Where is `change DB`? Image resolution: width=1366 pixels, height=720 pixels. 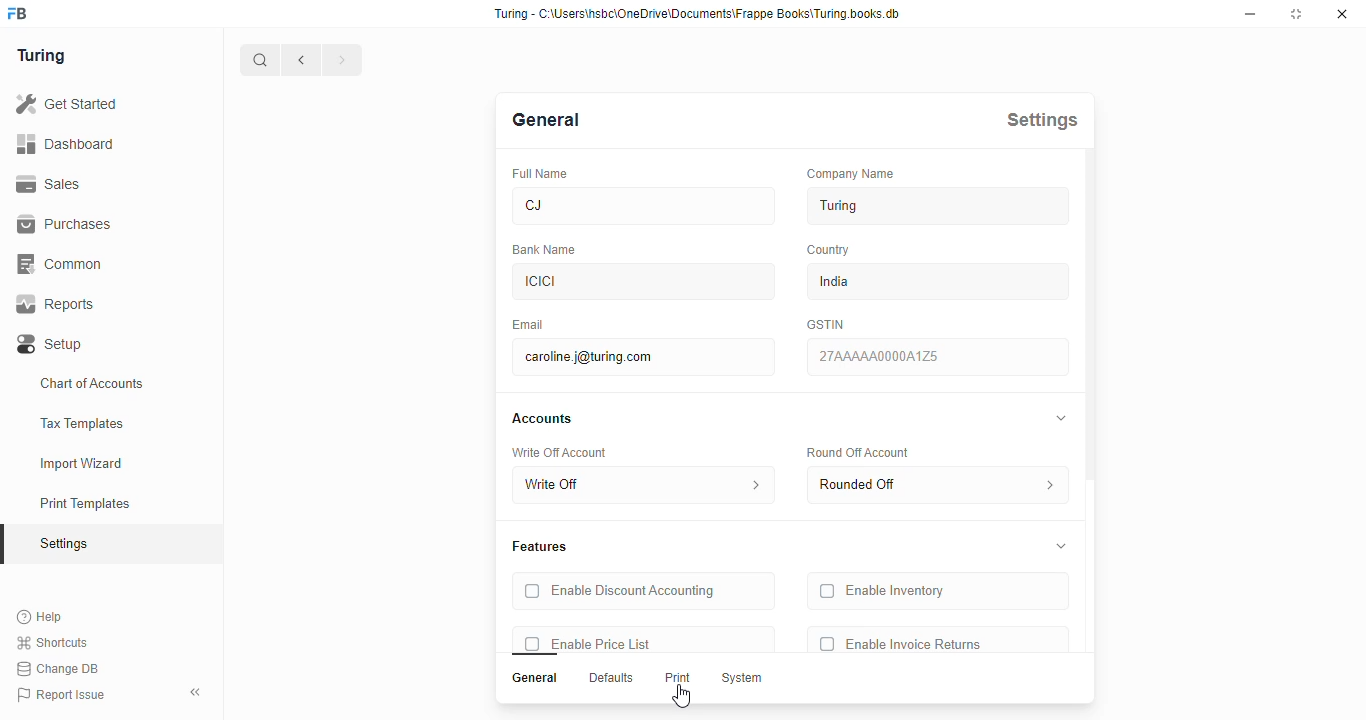
change DB is located at coordinates (57, 669).